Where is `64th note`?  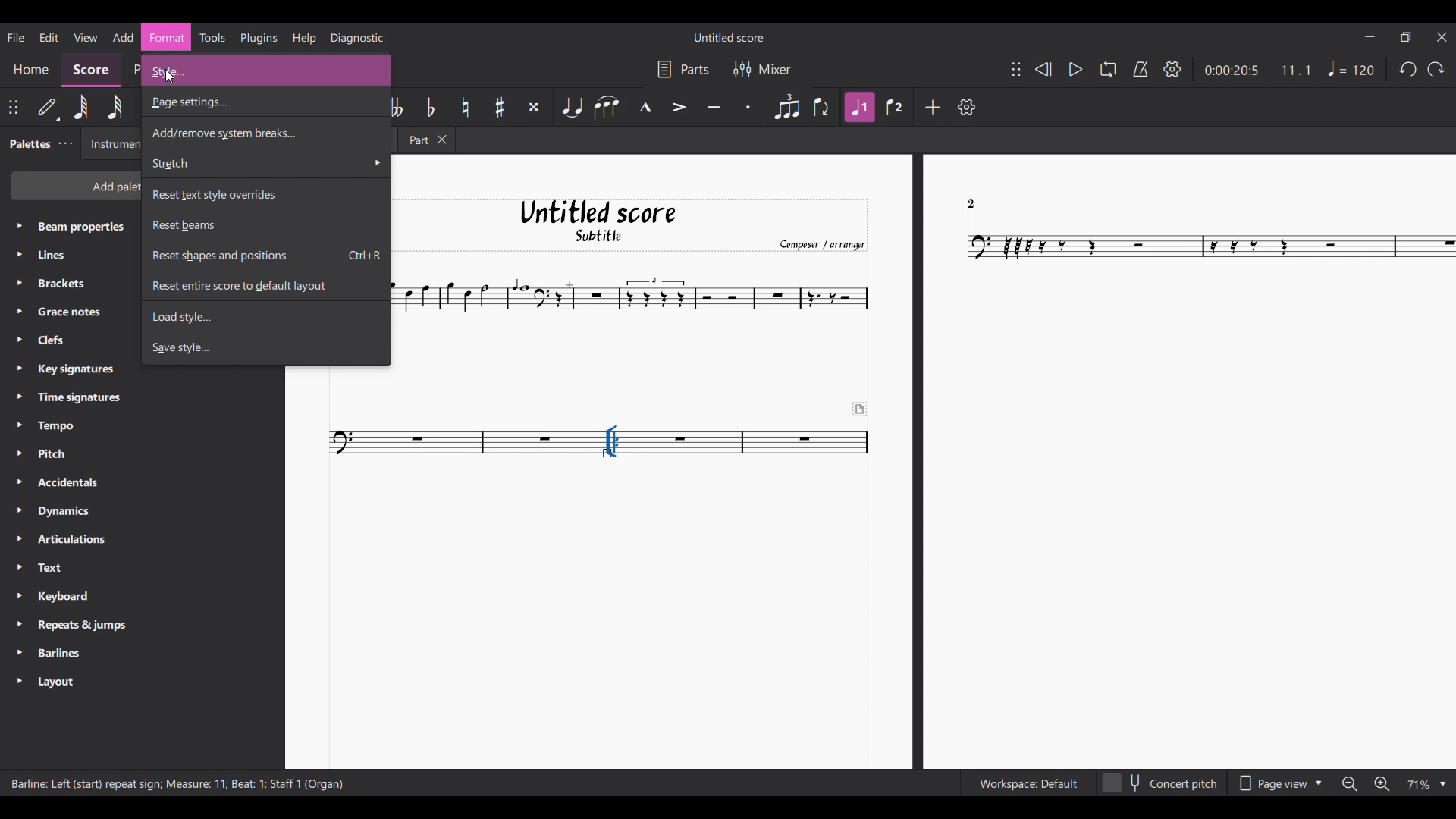
64th note is located at coordinates (80, 107).